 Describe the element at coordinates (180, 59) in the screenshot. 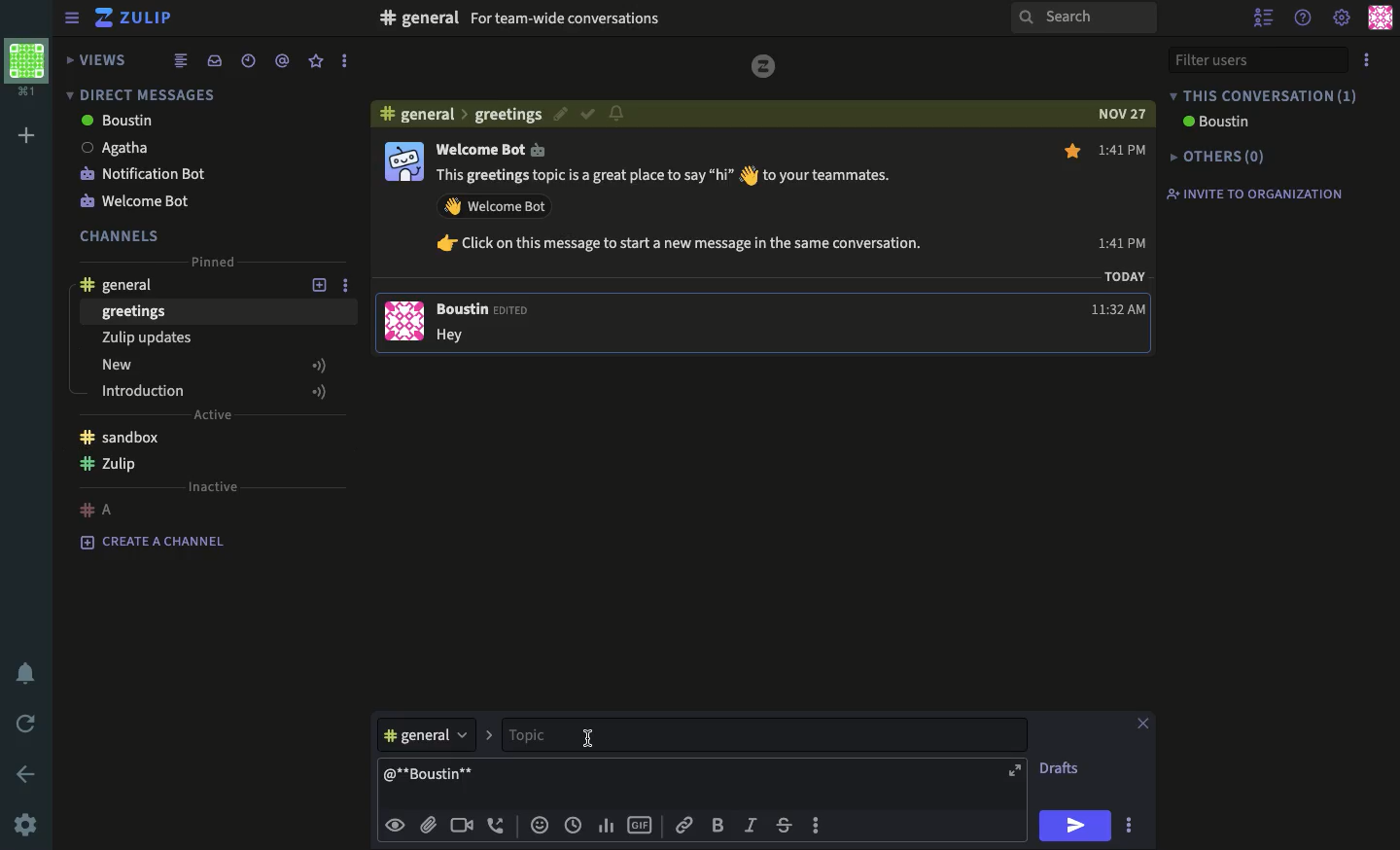

I see `list view` at that location.